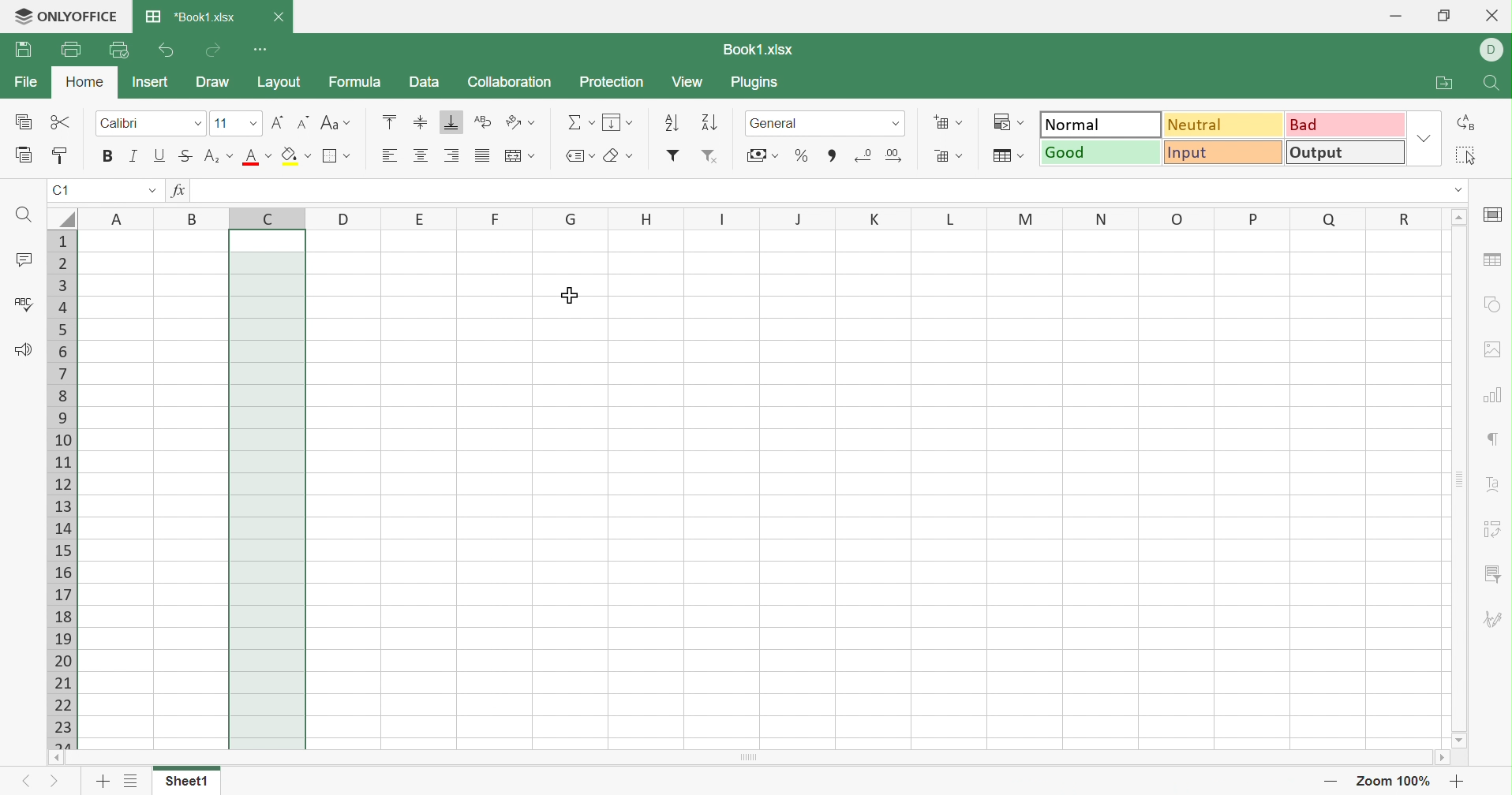 The width and height of the screenshot is (1512, 795). I want to click on Copy Style, so click(62, 155).